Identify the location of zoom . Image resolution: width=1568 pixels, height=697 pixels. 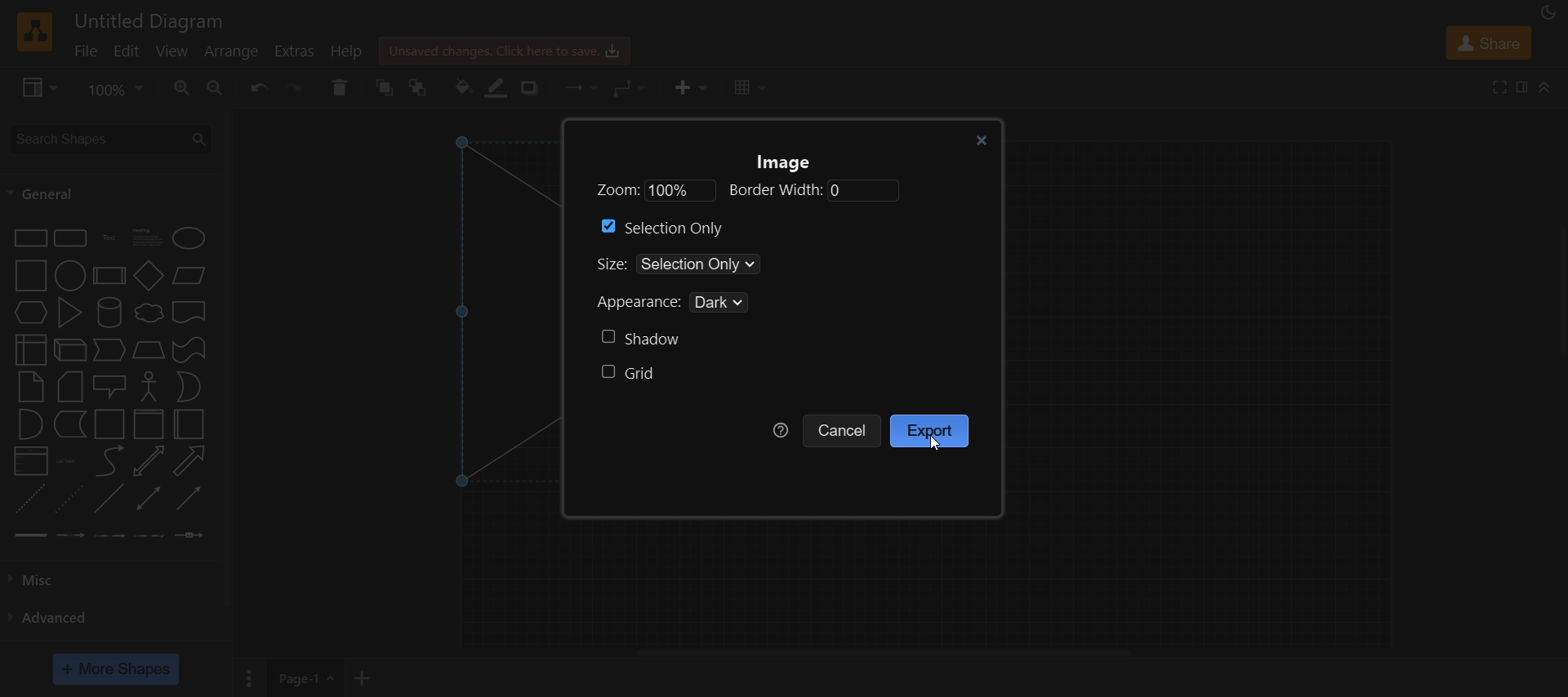
(742, 191).